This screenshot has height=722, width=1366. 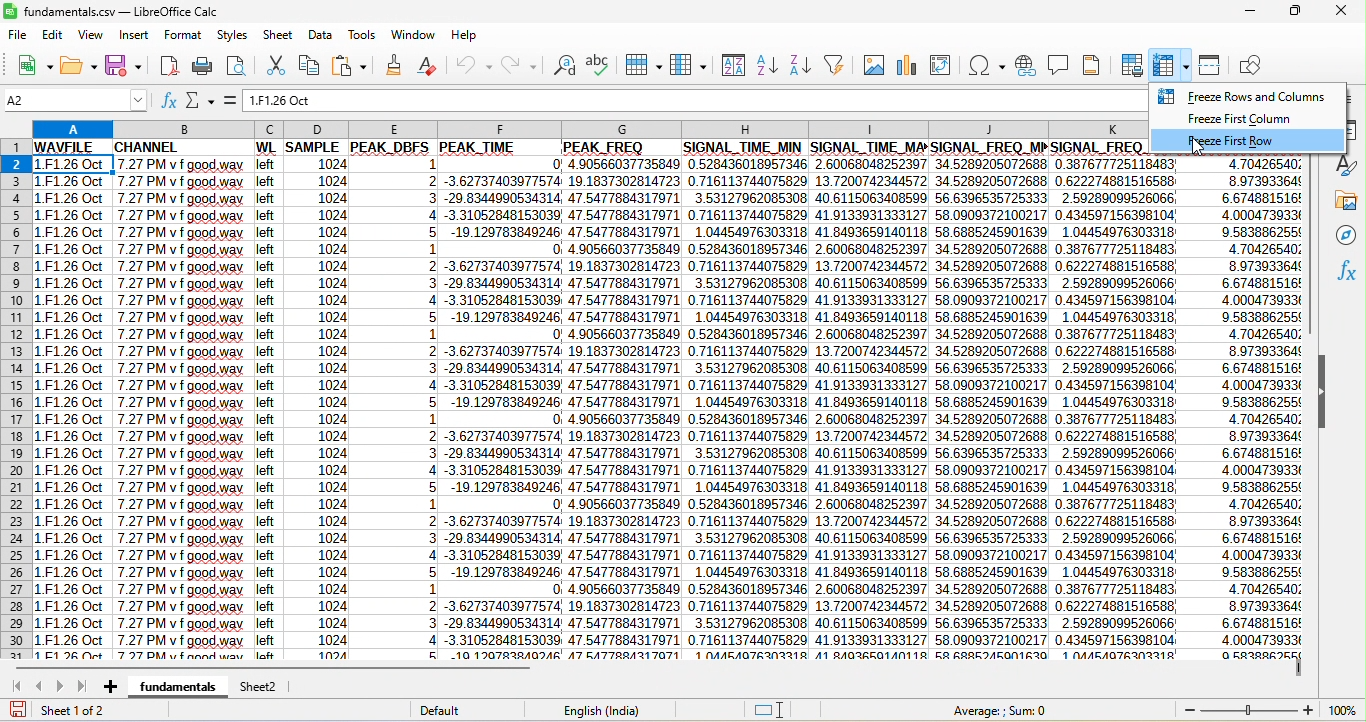 What do you see at coordinates (604, 709) in the screenshot?
I see `text language` at bounding box center [604, 709].